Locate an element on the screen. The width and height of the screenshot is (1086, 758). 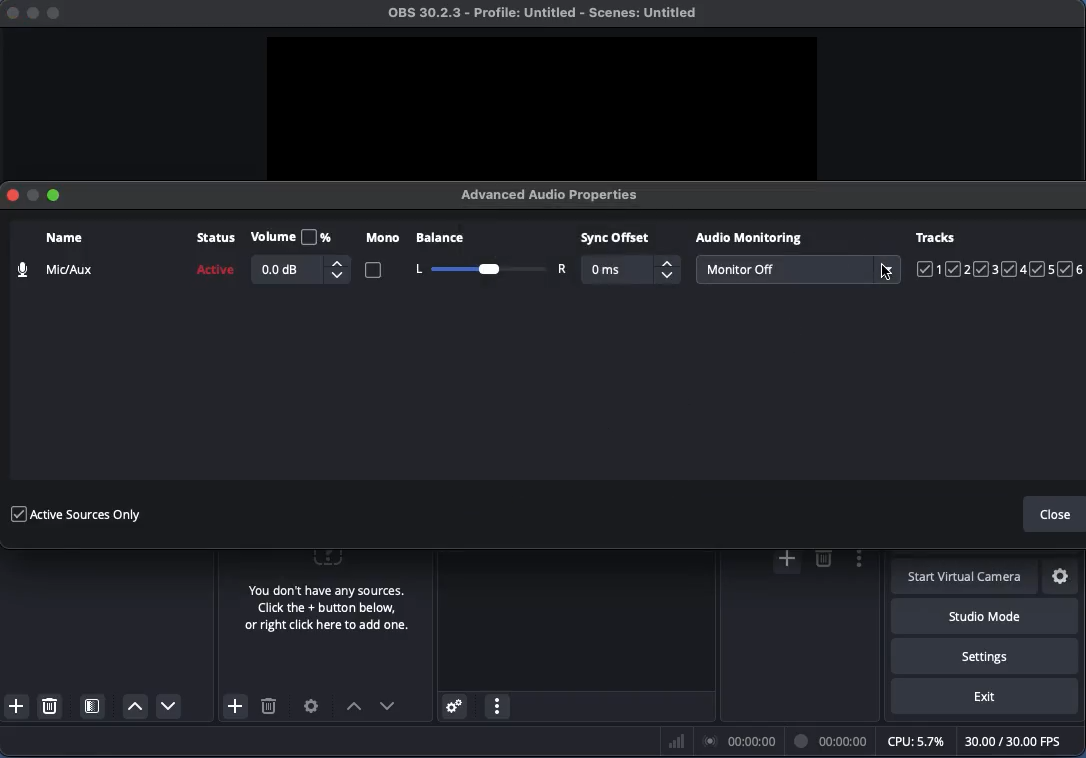
Braodcast is located at coordinates (740, 742).